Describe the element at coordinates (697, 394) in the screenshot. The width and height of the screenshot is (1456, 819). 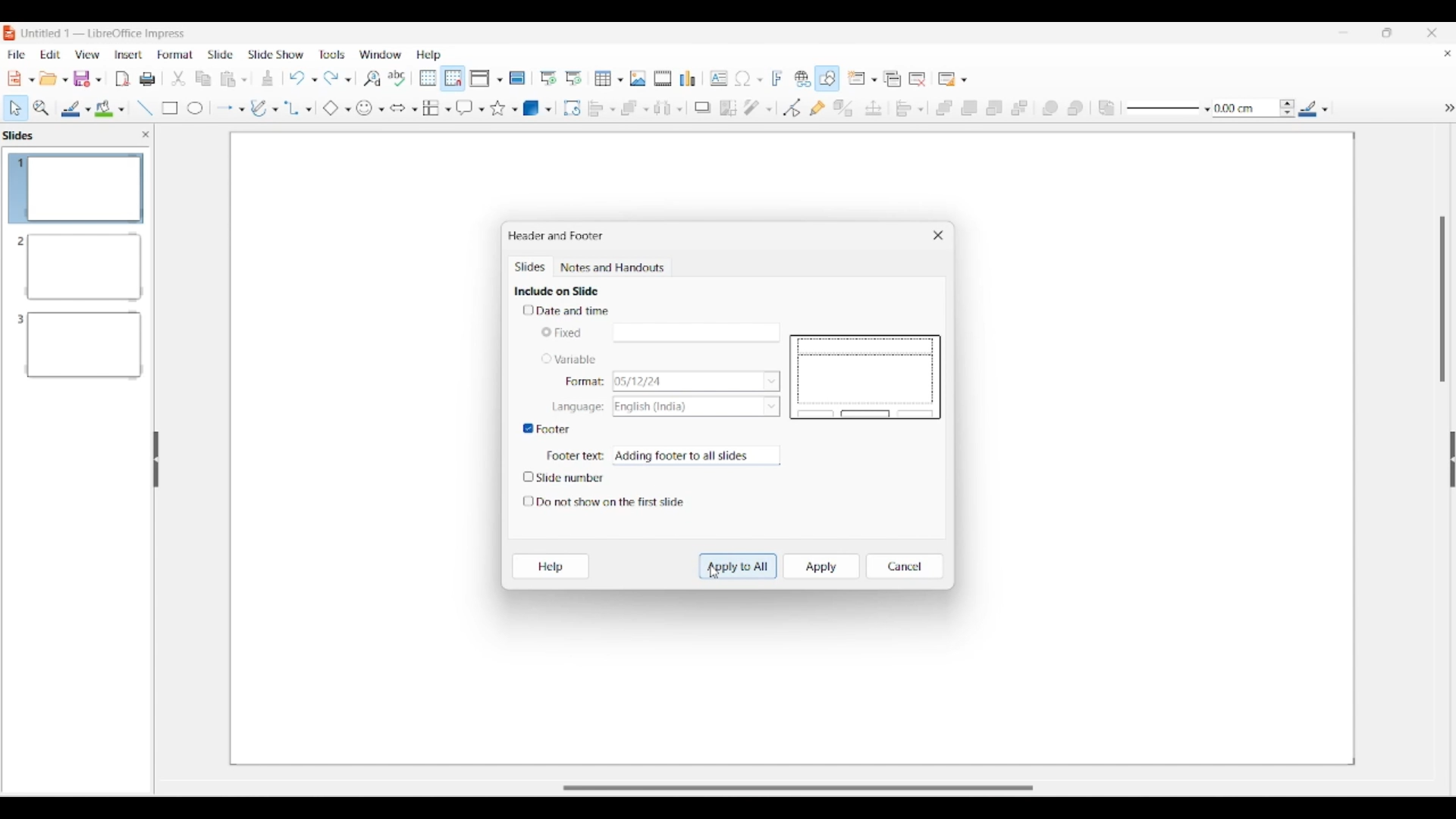
I see `List options for respective Variable characteristics` at that location.